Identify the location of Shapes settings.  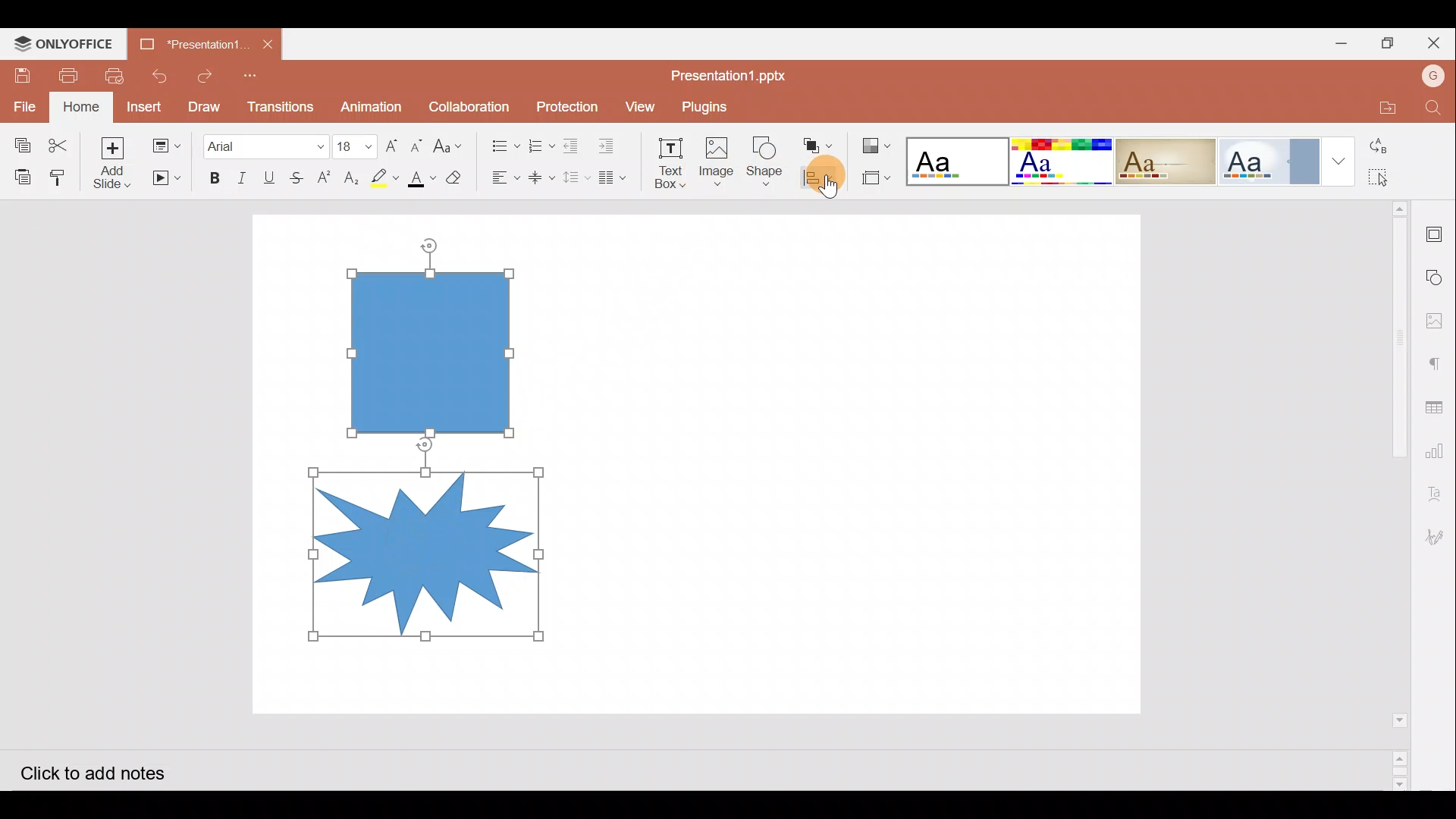
(1437, 274).